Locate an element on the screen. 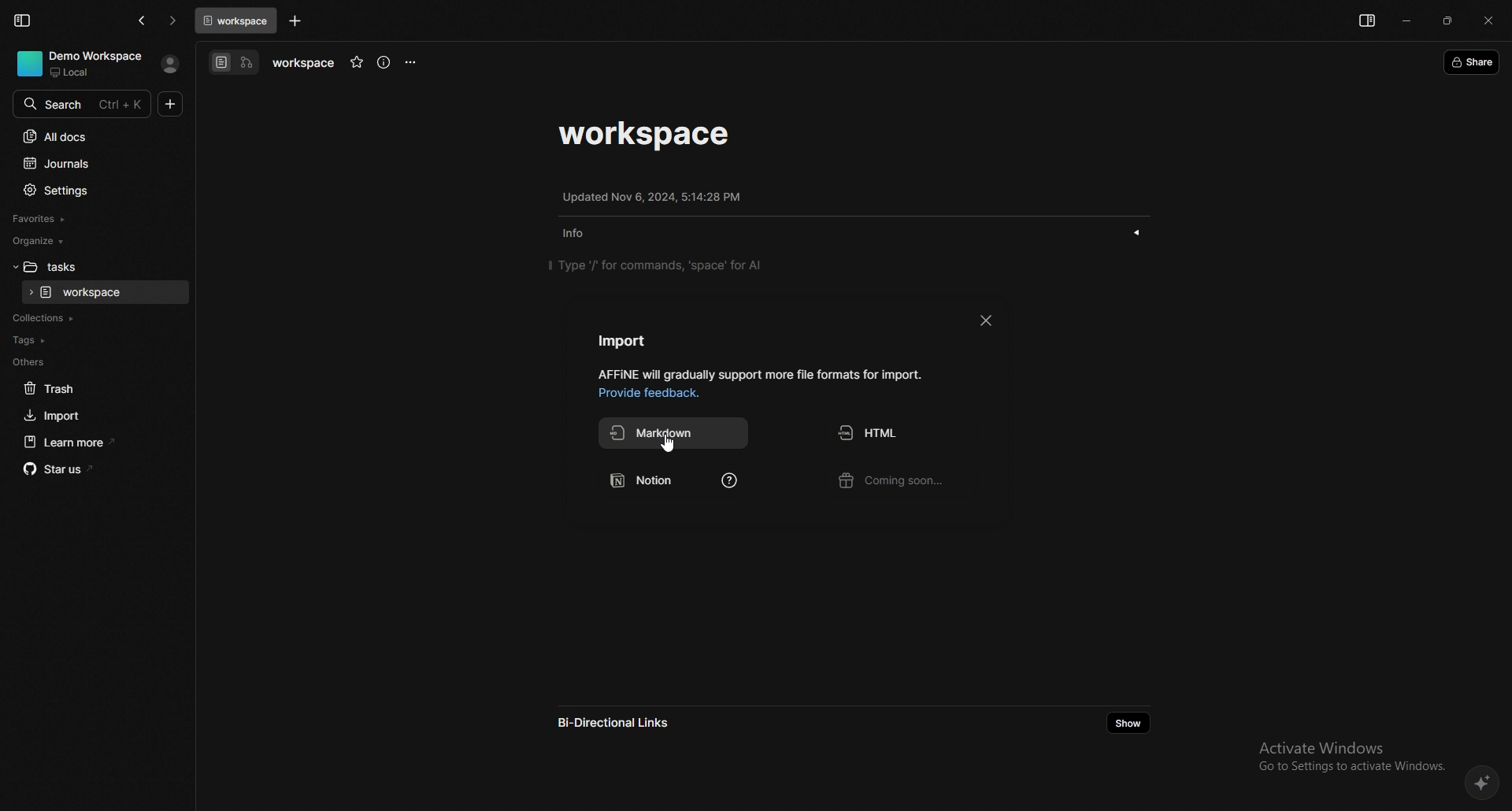  show is located at coordinates (1127, 723).